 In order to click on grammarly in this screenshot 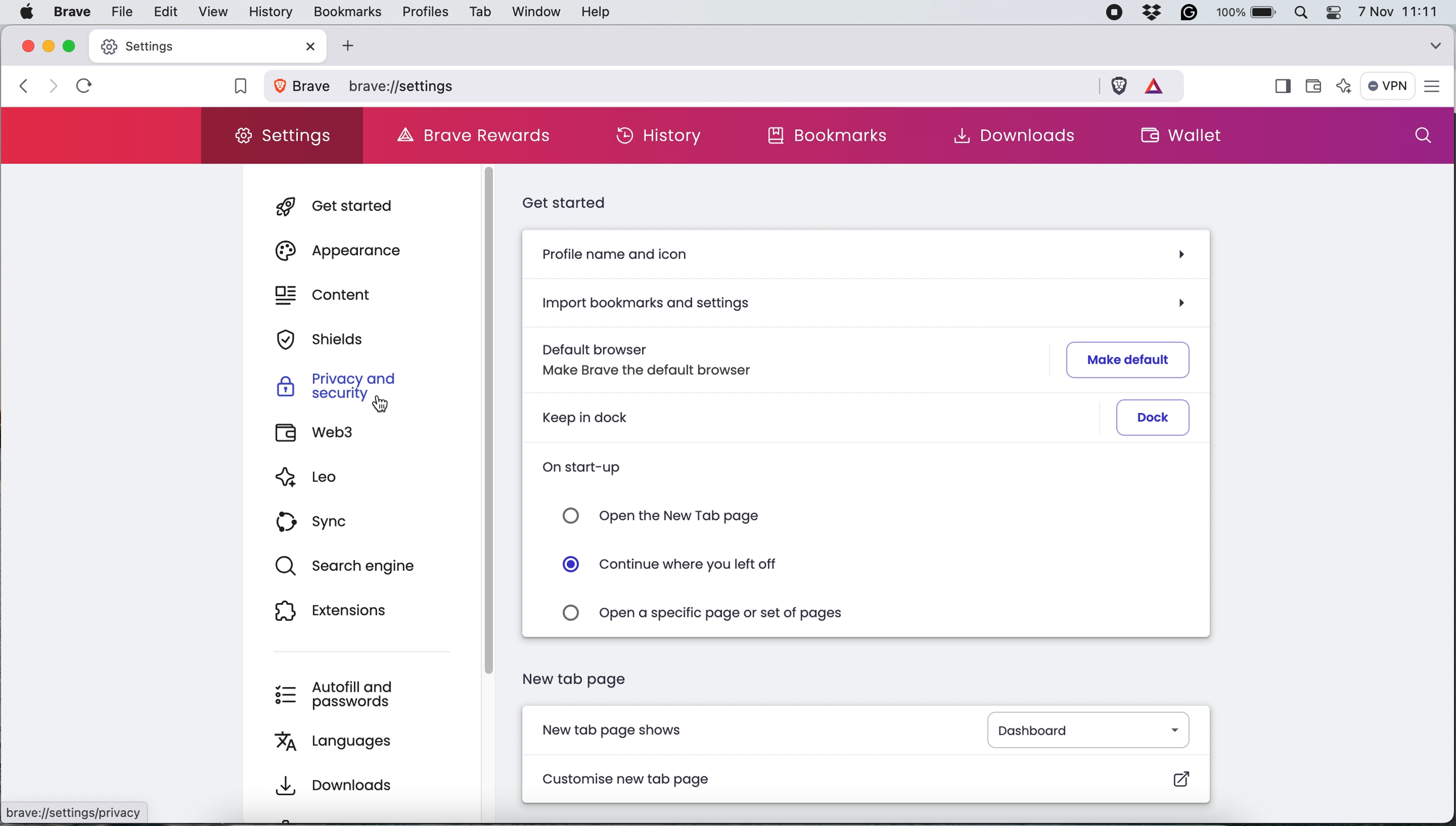, I will do `click(1193, 13)`.